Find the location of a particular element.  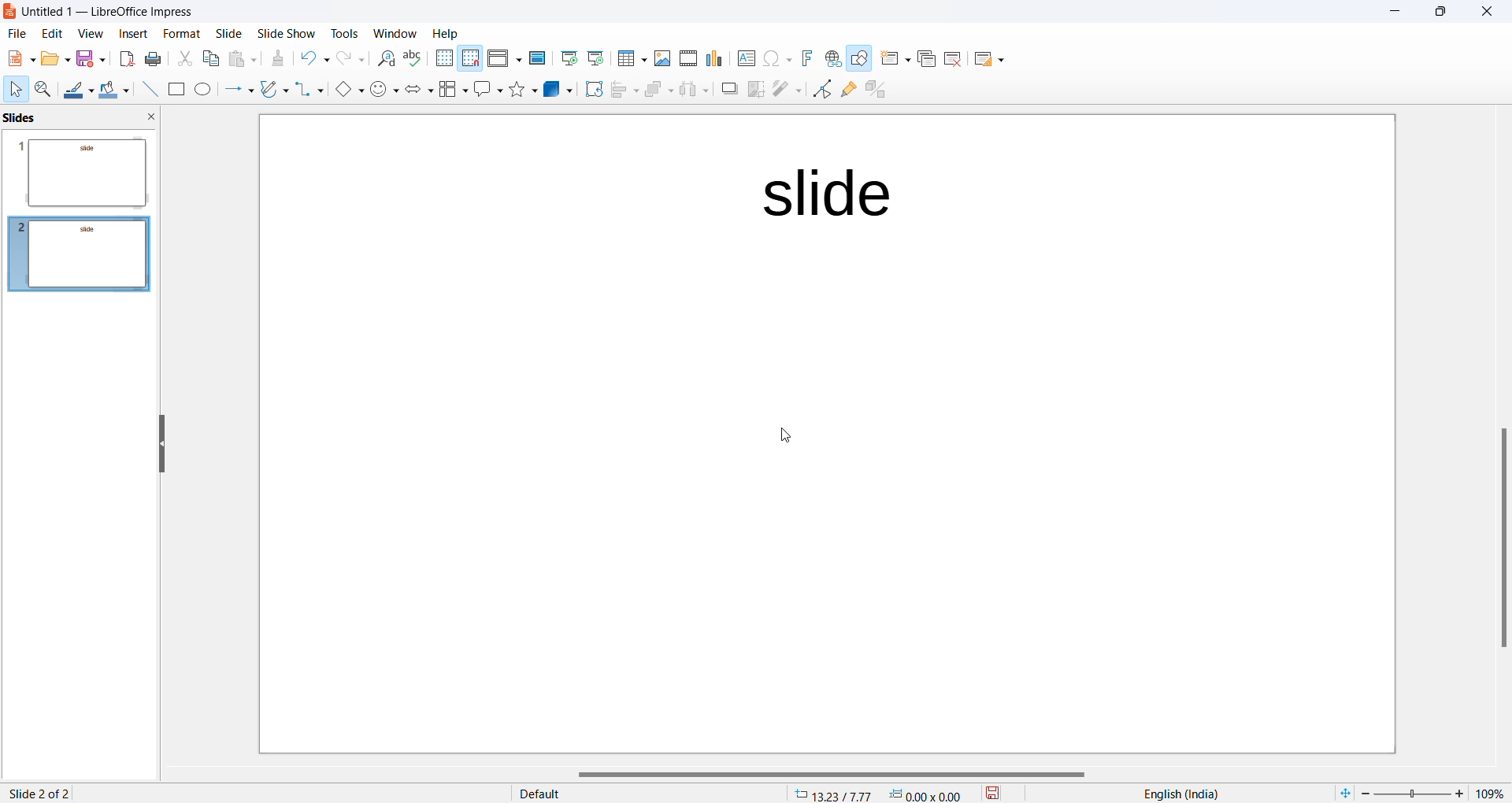

close slide preview pane is located at coordinates (154, 118).